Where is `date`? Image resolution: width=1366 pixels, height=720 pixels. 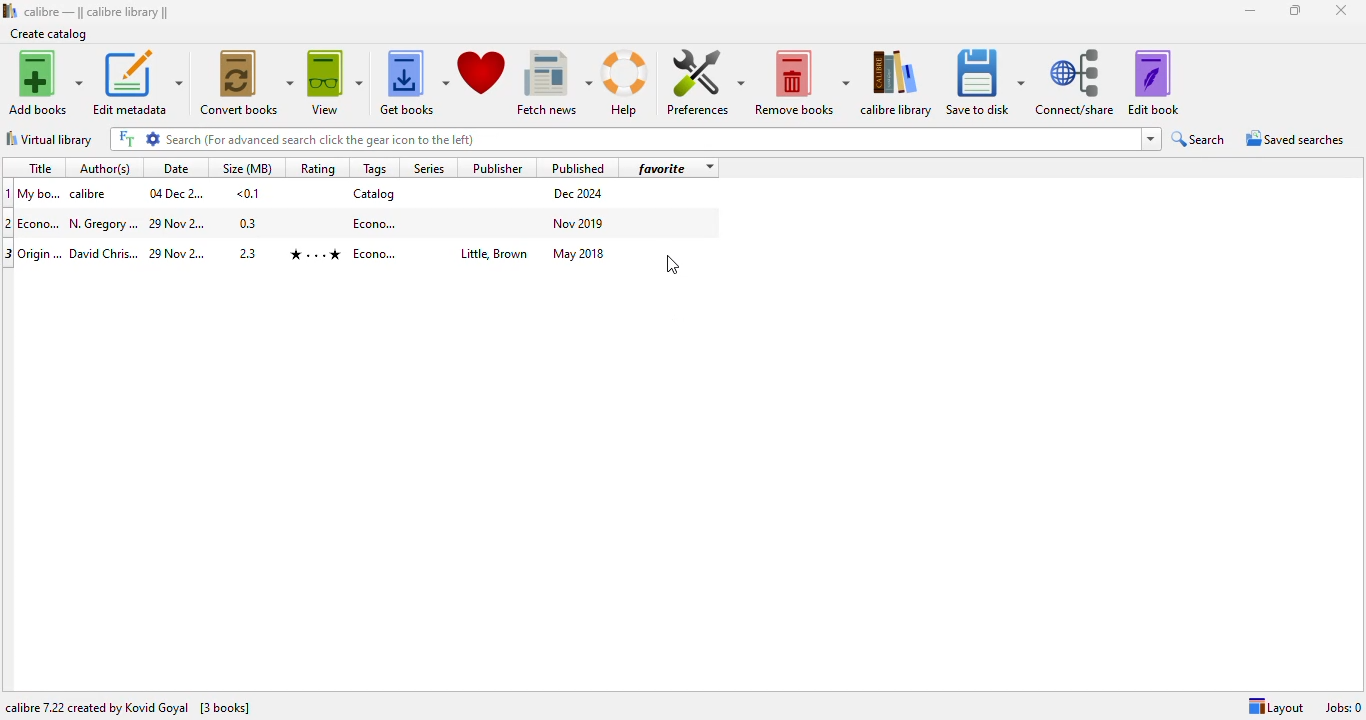 date is located at coordinates (176, 168).